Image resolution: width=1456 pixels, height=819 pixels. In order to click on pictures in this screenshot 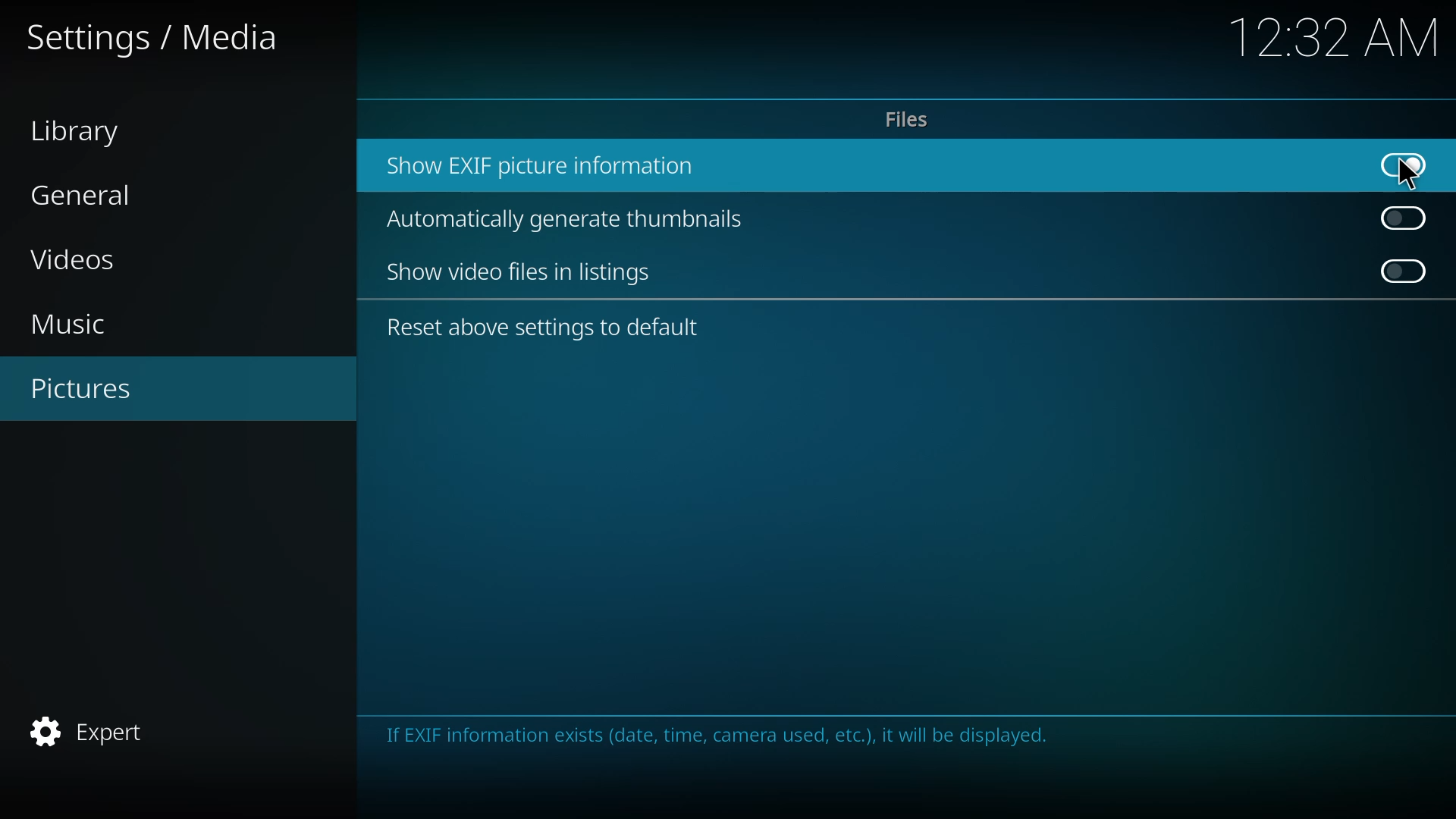, I will do `click(93, 387)`.